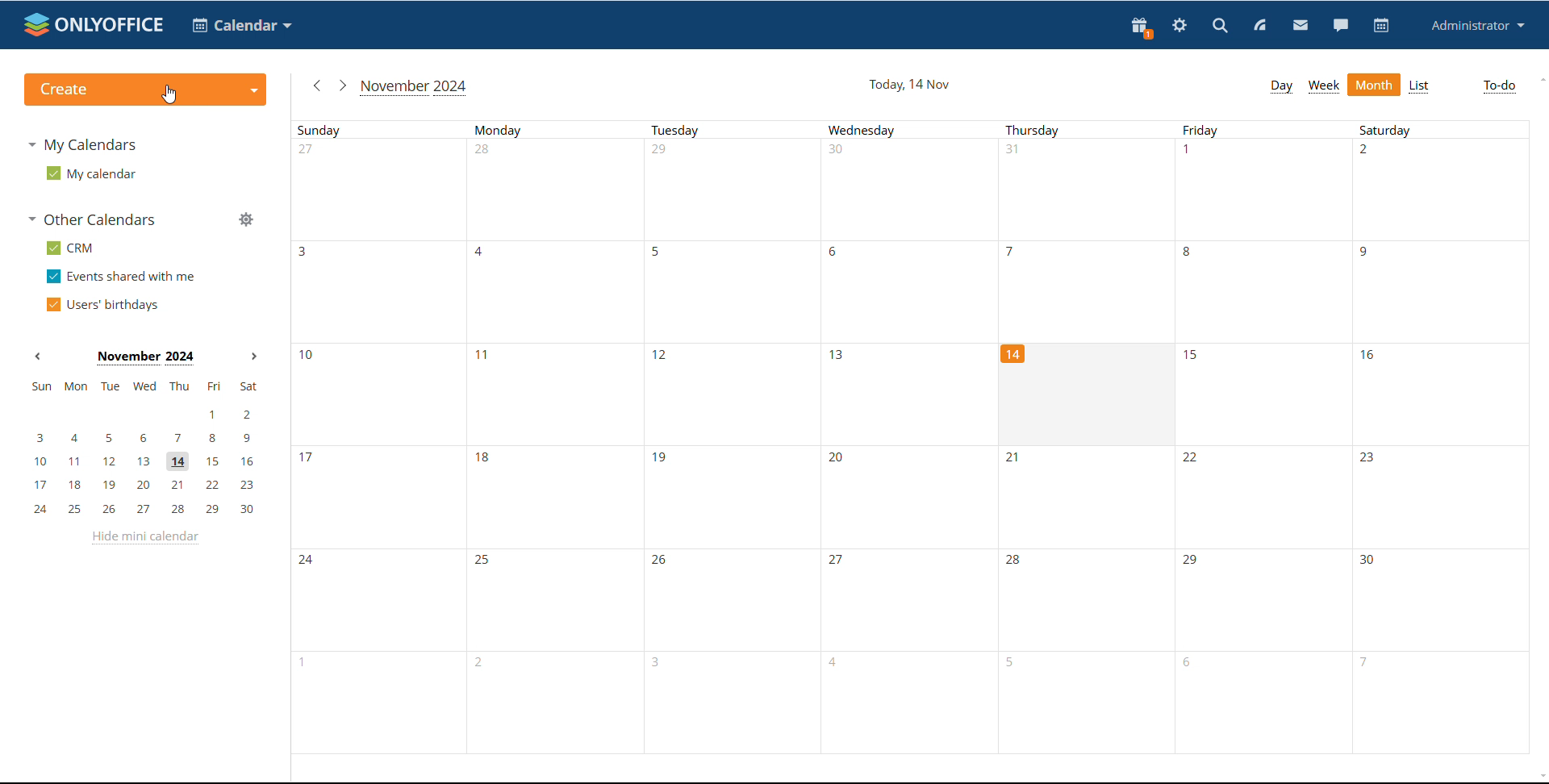 The height and width of the screenshot is (784, 1549). Describe the element at coordinates (910, 85) in the screenshot. I see `current date` at that location.